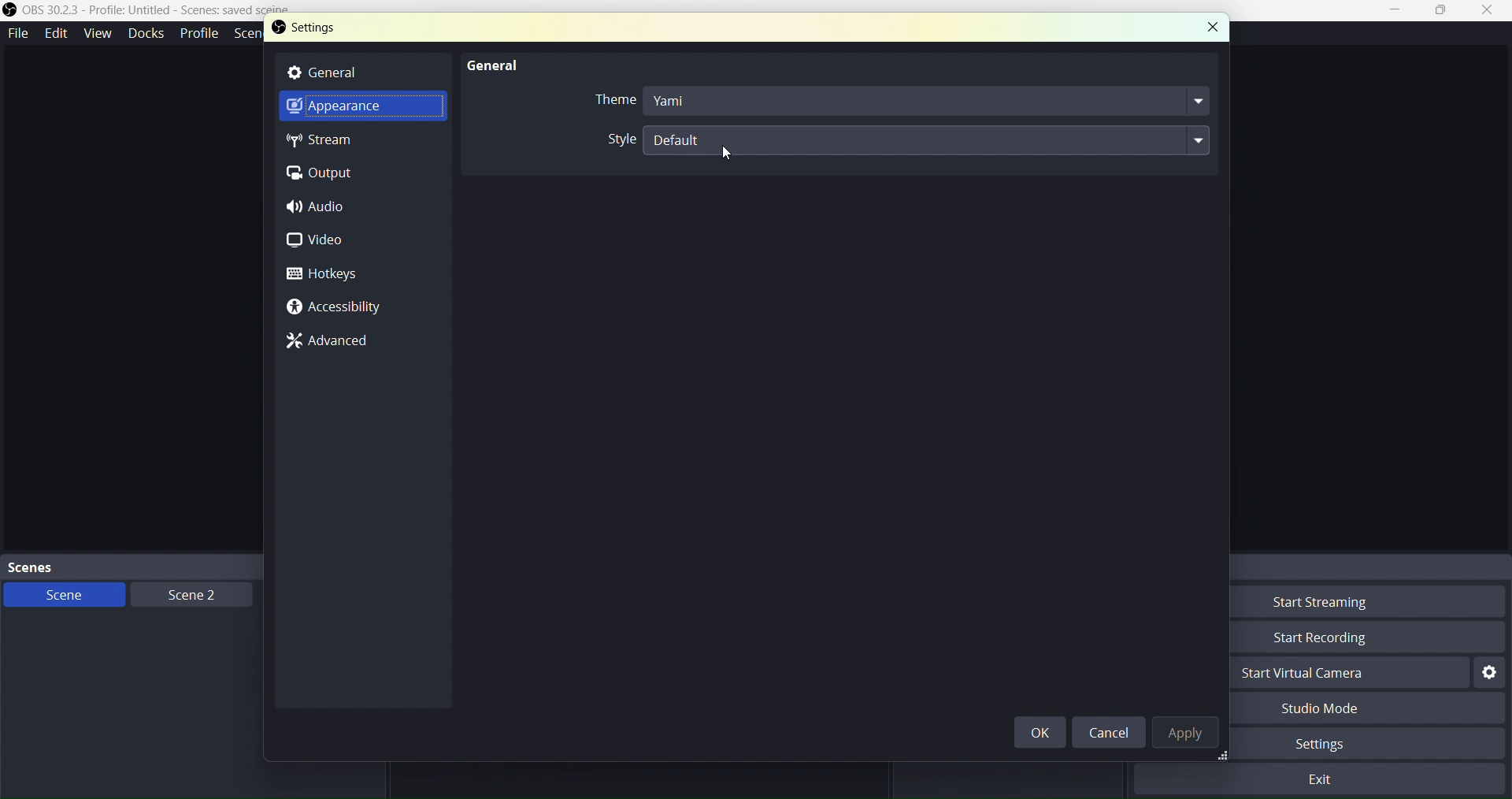  I want to click on Start Streaming, so click(1349, 604).